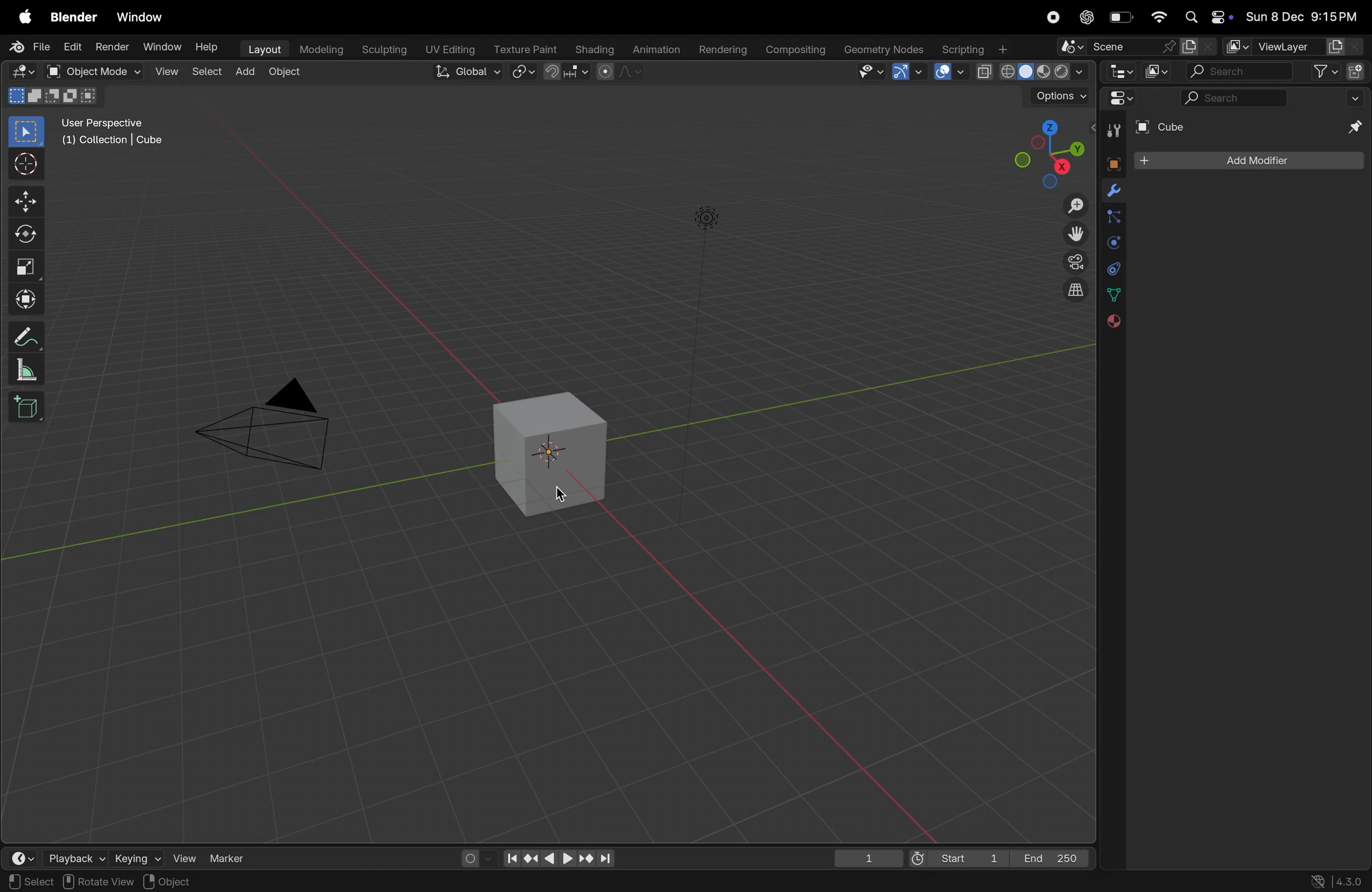 The width and height of the screenshot is (1372, 892). I want to click on new filters, so click(1318, 72).